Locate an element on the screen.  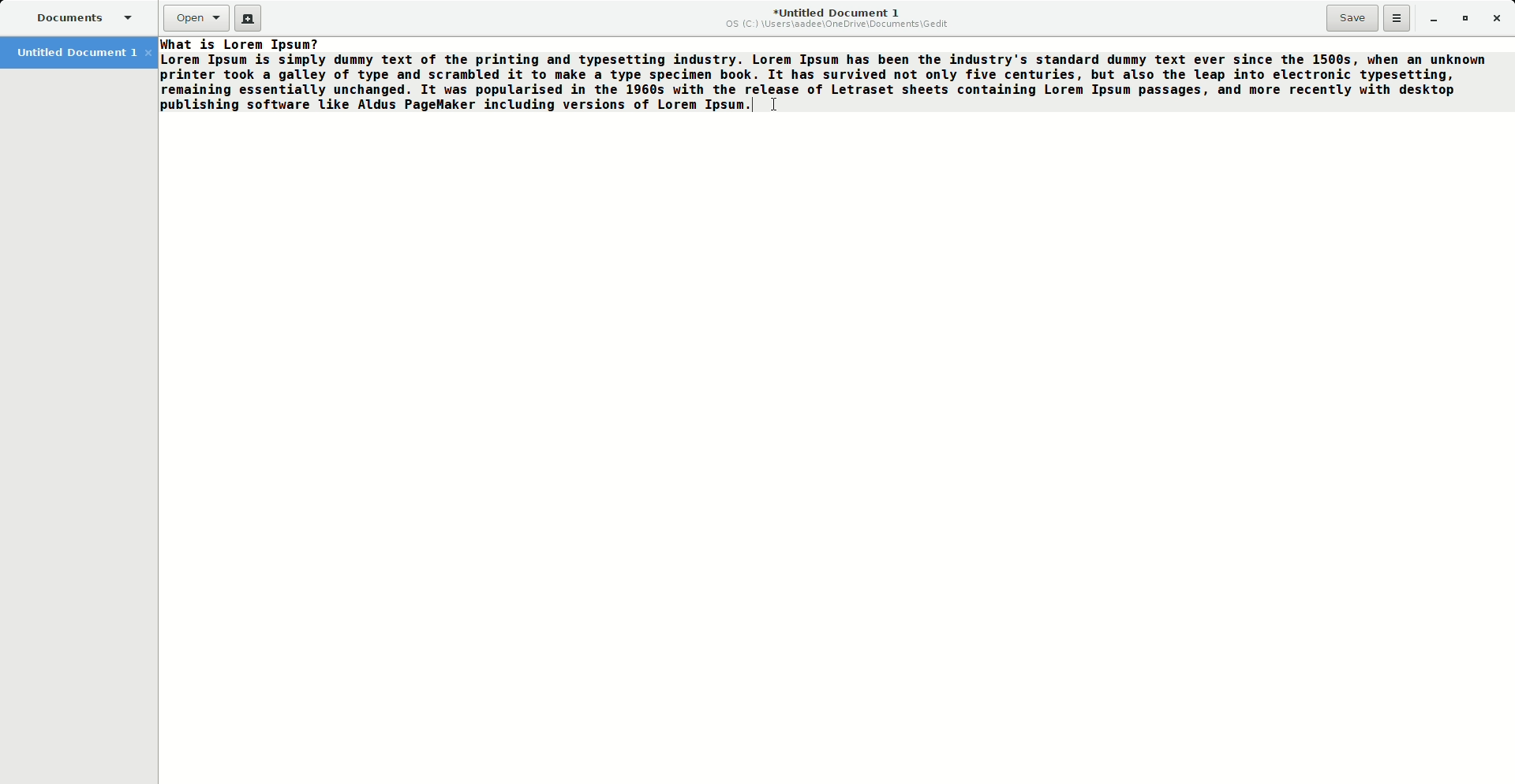
Close is located at coordinates (1497, 17).